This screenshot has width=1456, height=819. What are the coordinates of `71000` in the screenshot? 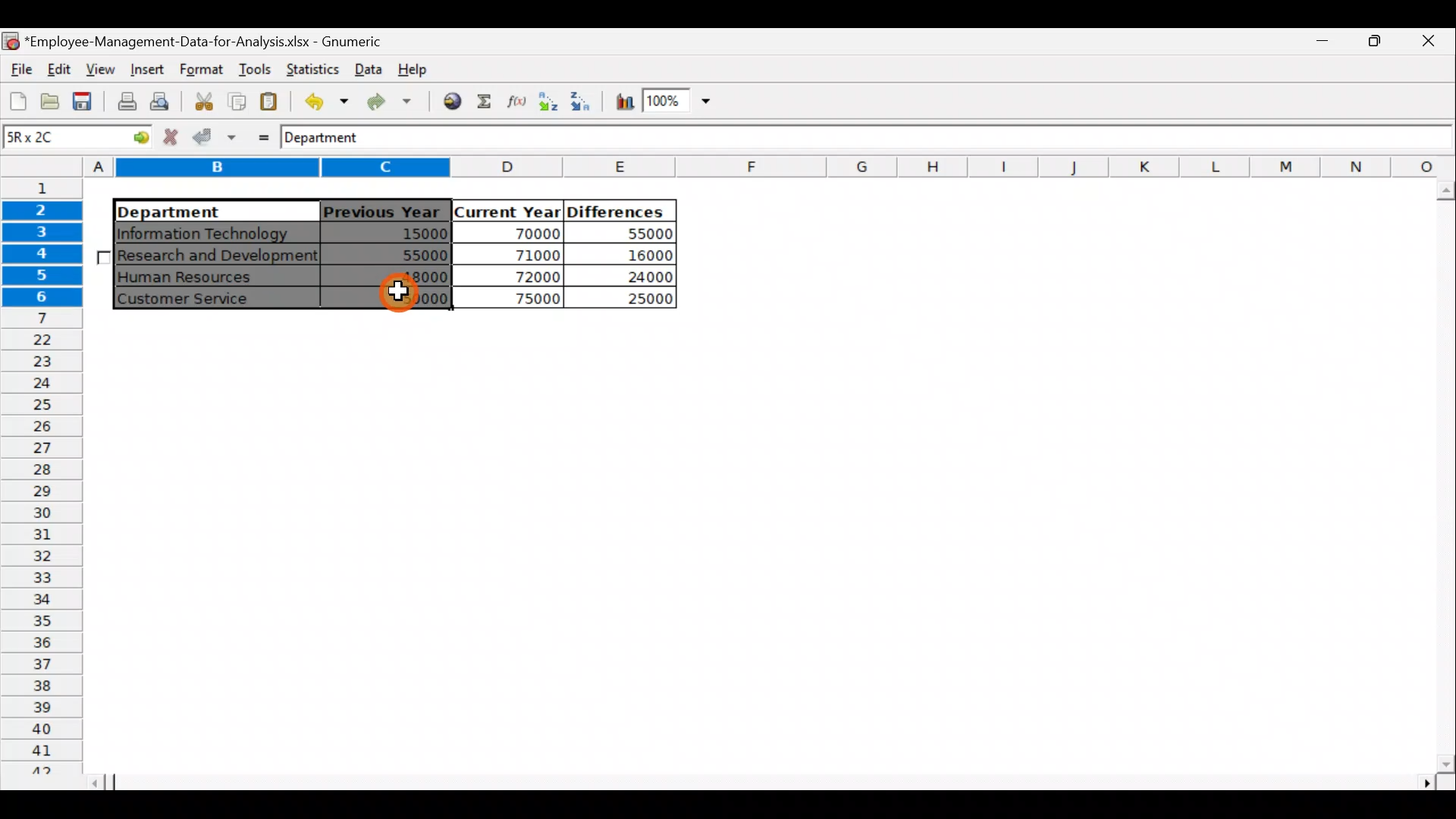 It's located at (525, 254).